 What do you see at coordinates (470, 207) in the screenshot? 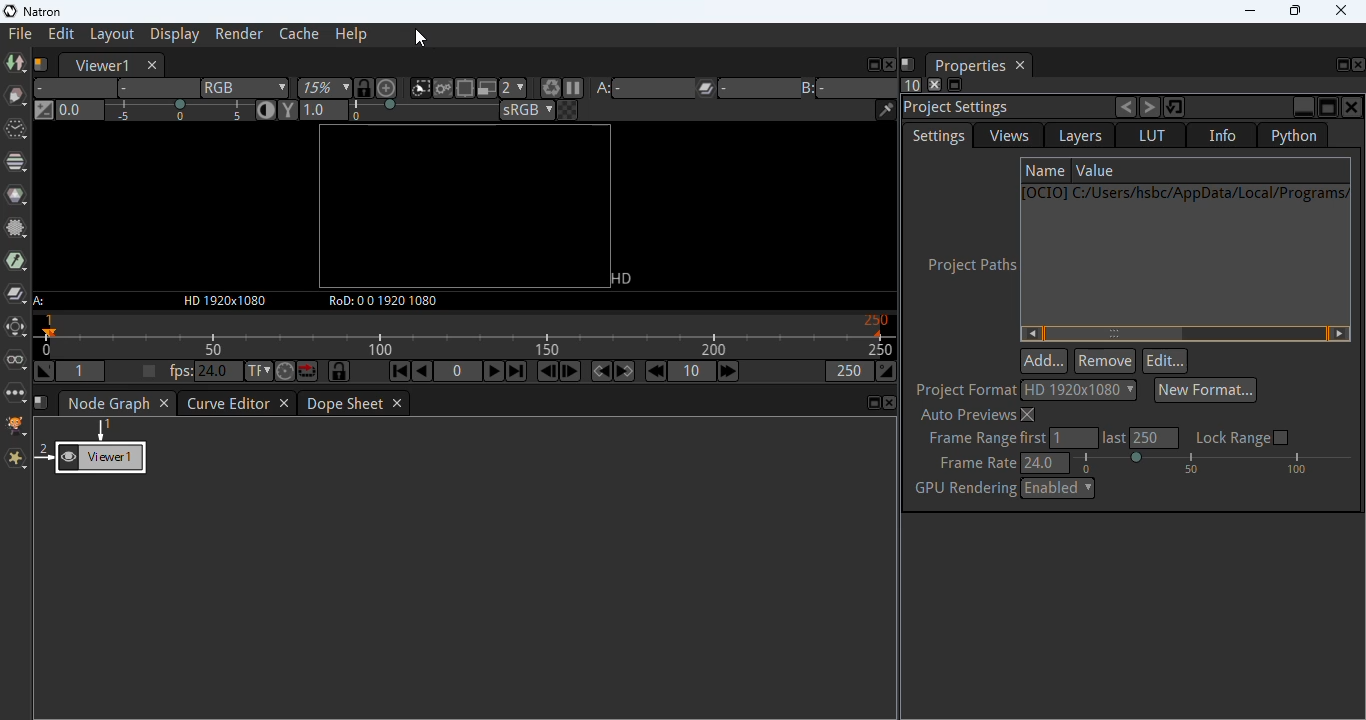
I see `blank composition` at bounding box center [470, 207].